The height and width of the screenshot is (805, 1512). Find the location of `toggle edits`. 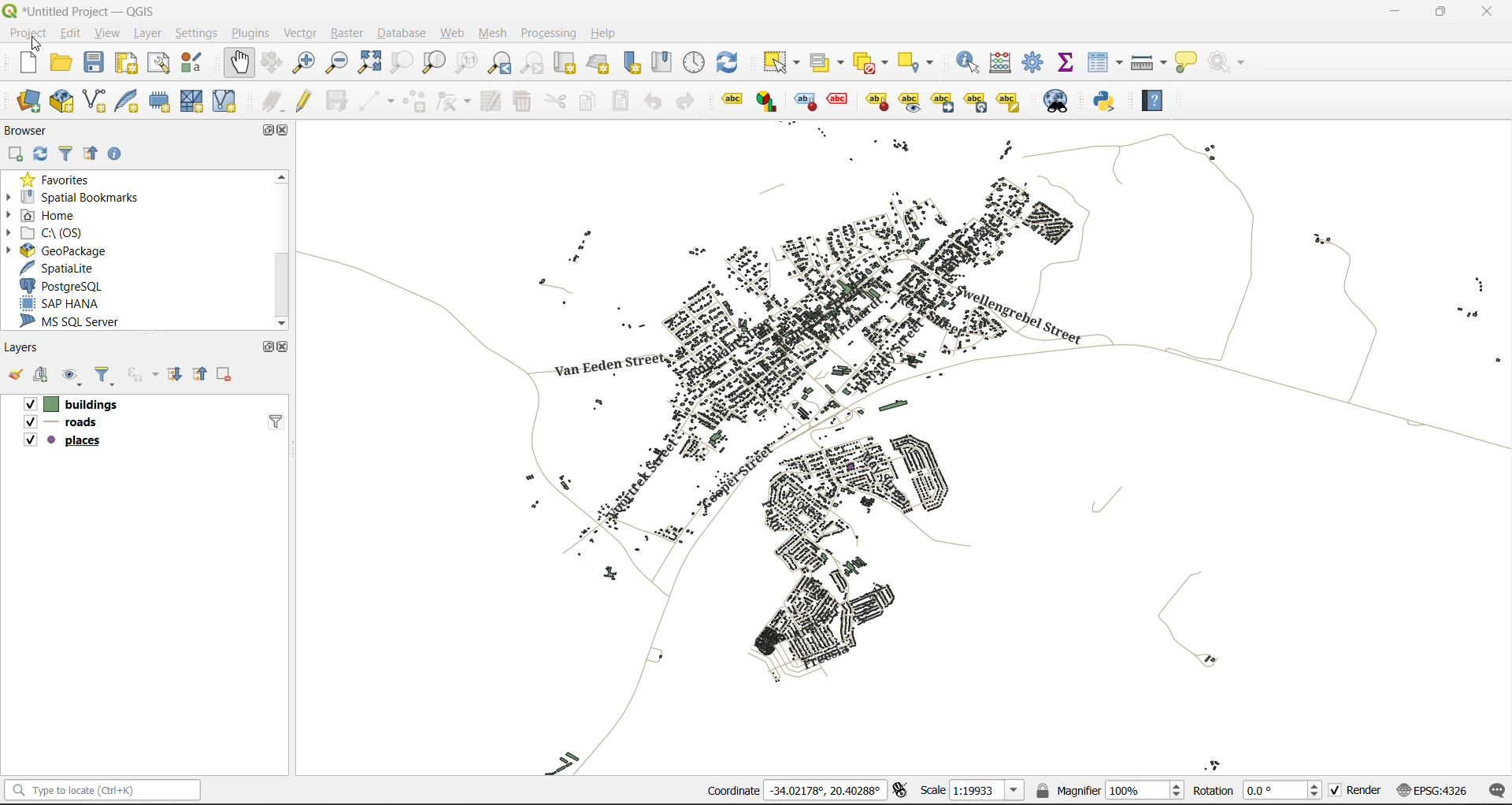

toggle edits is located at coordinates (303, 101).